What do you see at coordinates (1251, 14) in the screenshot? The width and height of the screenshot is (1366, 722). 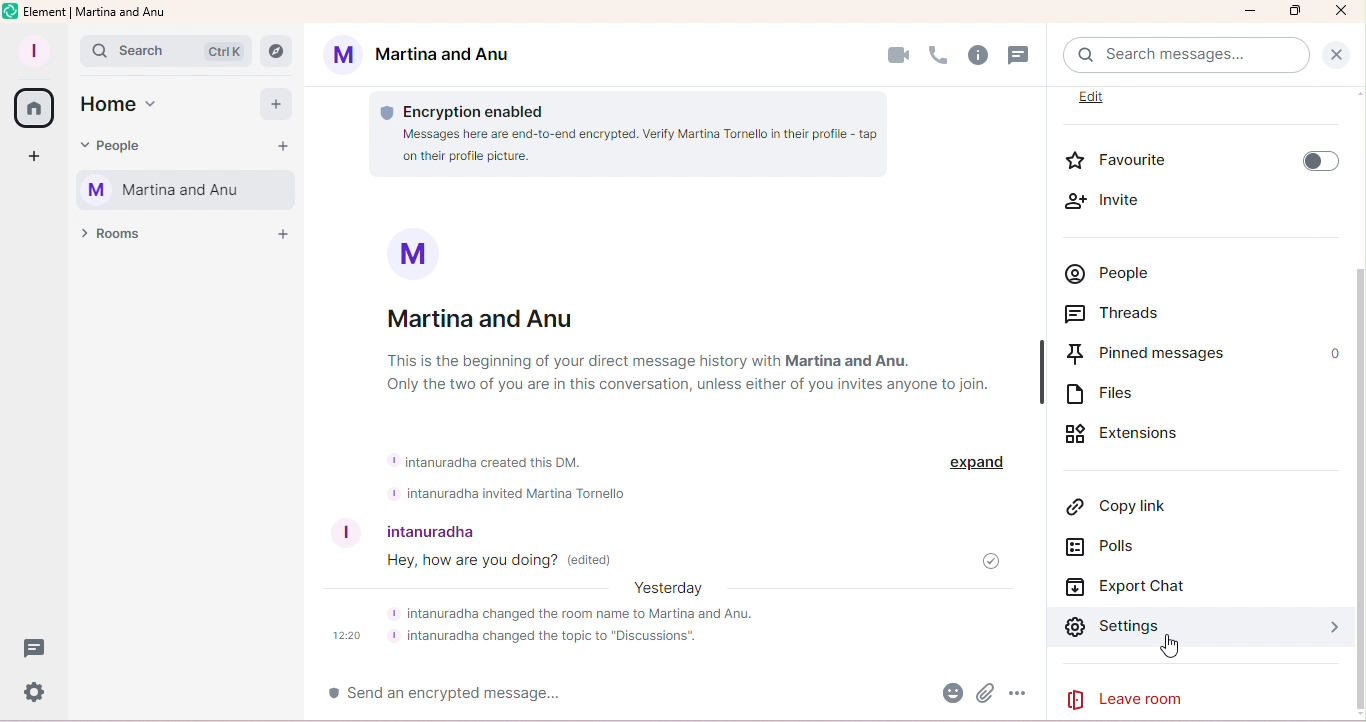 I see `Minimize` at bounding box center [1251, 14].